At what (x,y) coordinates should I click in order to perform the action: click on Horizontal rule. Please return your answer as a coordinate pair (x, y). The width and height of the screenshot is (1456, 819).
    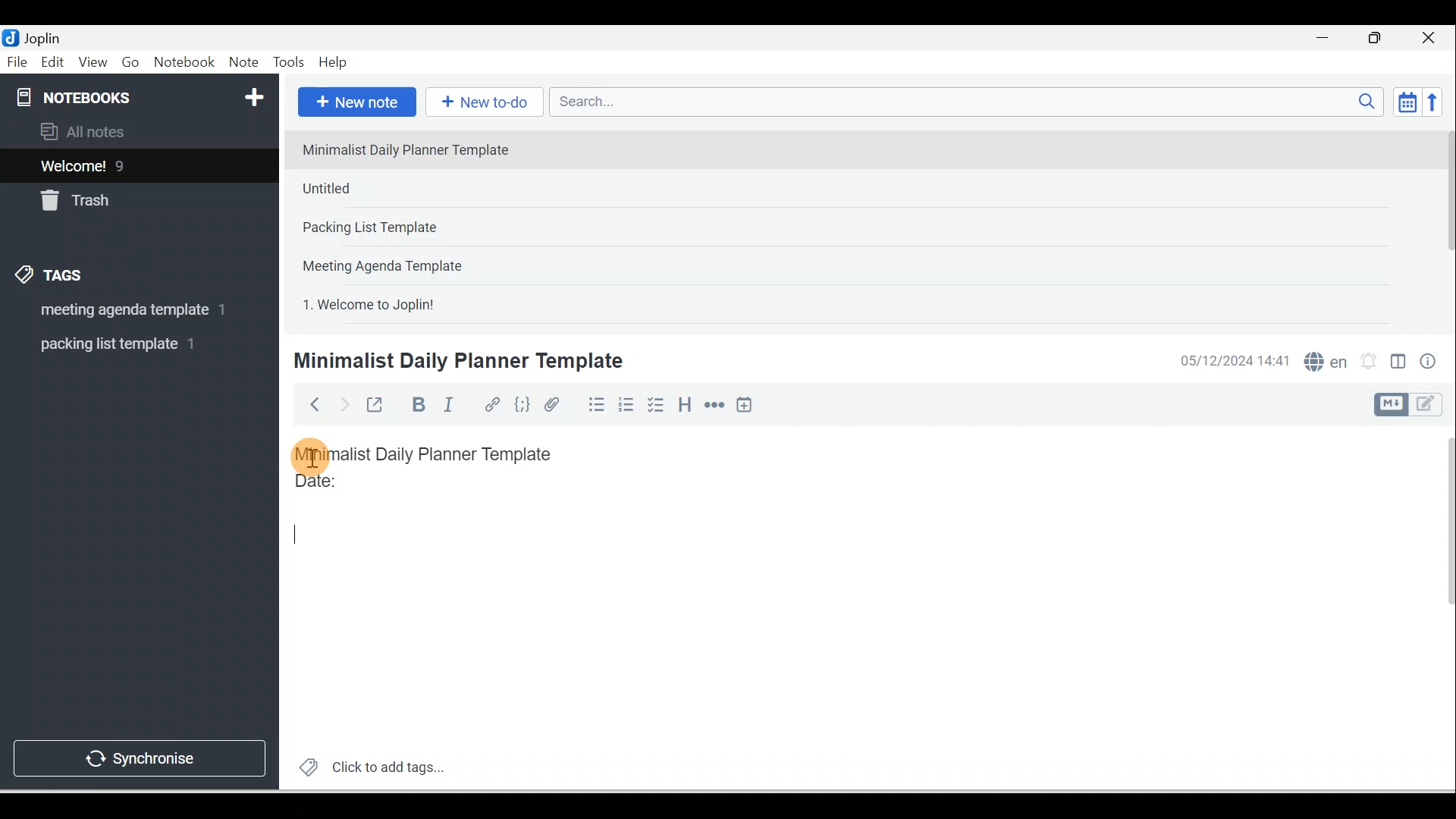
    Looking at the image, I should click on (716, 405).